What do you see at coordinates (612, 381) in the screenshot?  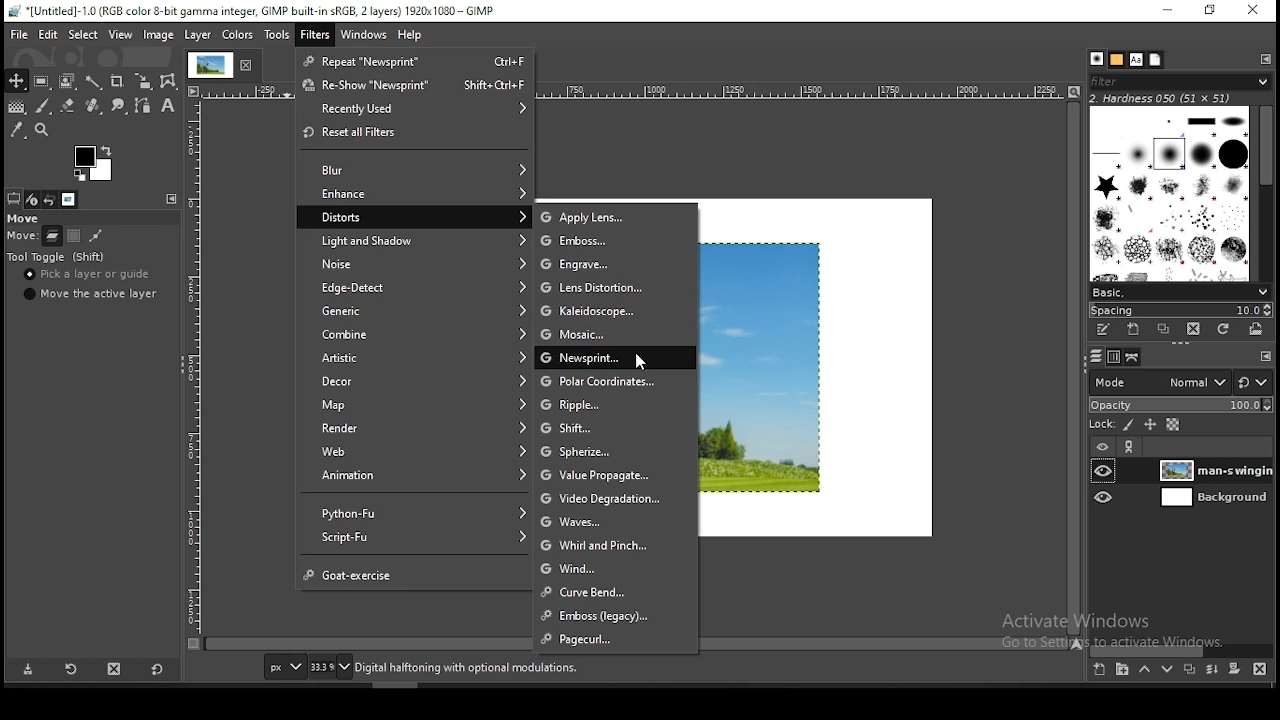 I see `polar coordinates` at bounding box center [612, 381].